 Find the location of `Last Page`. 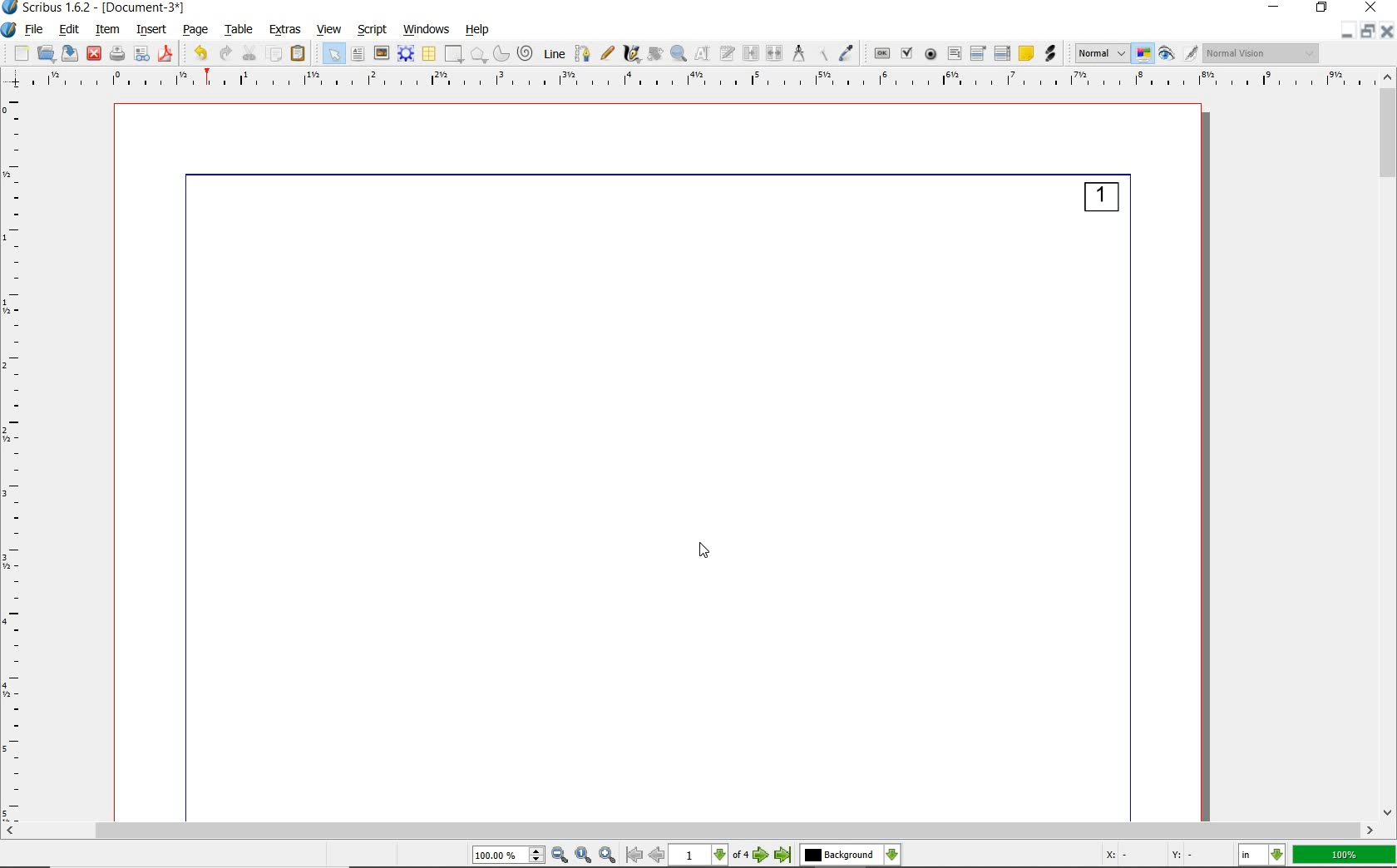

Last Page is located at coordinates (783, 857).